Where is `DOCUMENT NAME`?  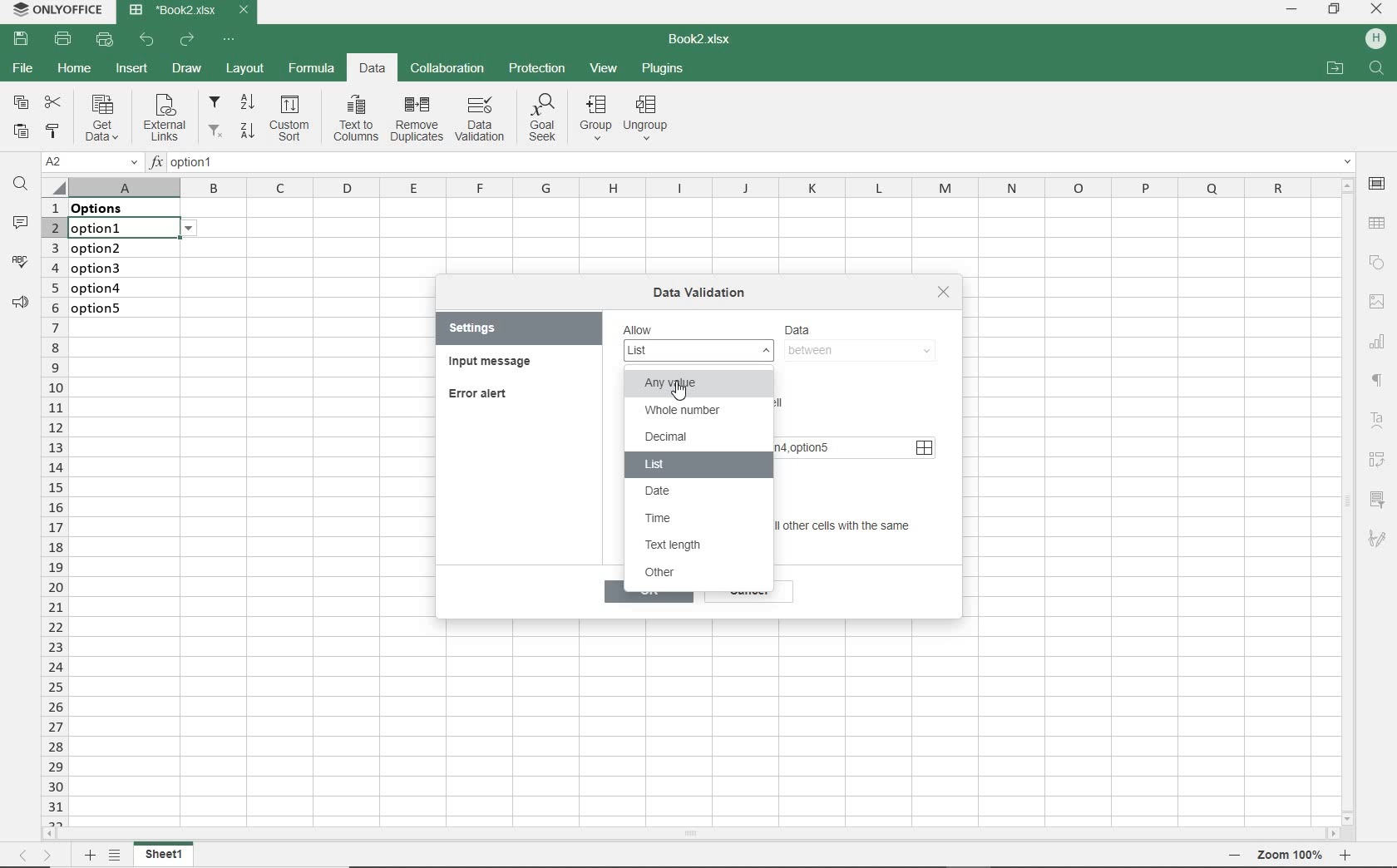
DOCUMENT NAME is located at coordinates (190, 10).